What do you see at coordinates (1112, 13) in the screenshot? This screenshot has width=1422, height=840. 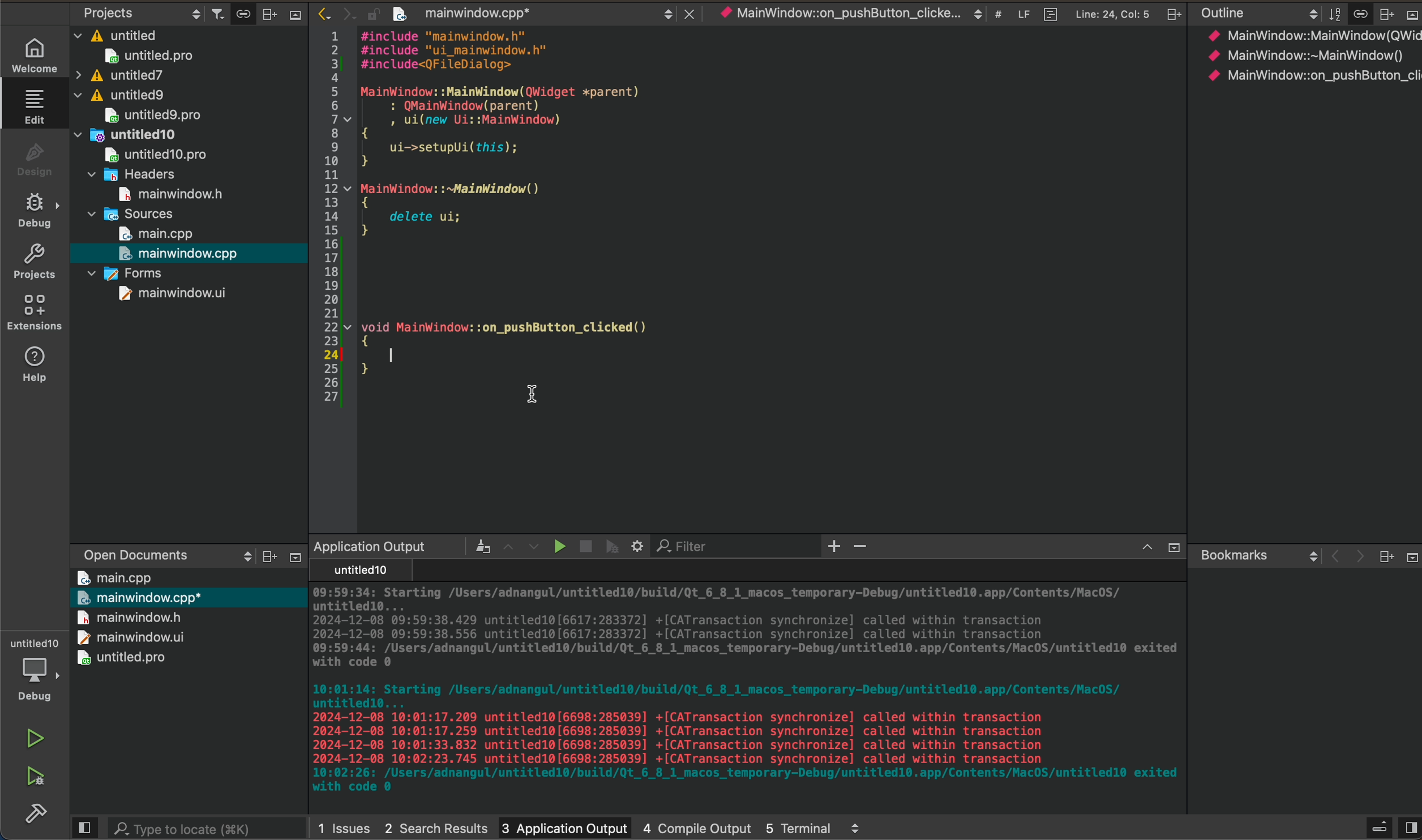 I see `Line: 24, Col: 5` at bounding box center [1112, 13].